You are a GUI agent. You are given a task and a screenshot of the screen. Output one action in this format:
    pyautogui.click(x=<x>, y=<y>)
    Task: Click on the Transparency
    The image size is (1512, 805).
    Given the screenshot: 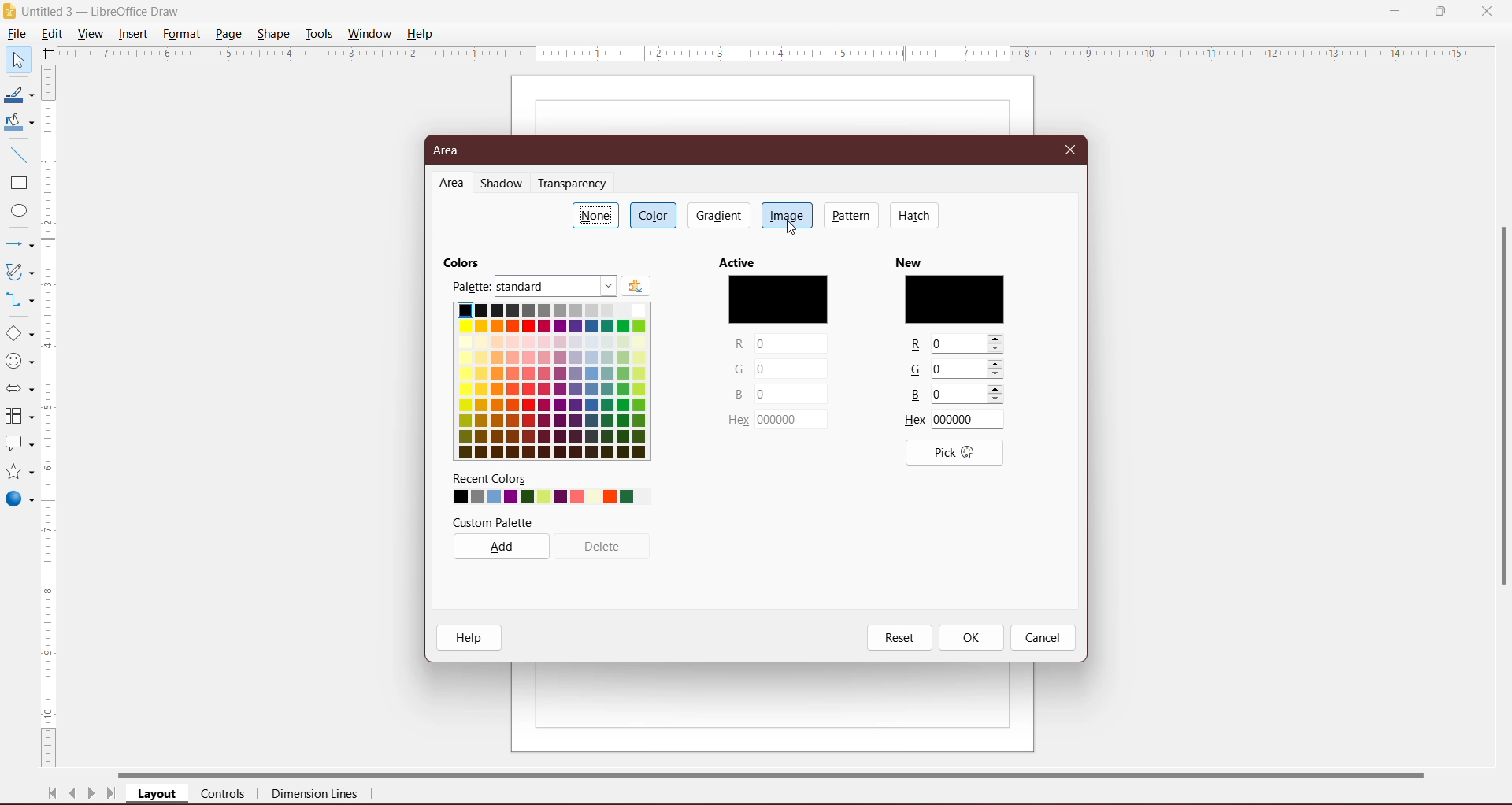 What is the action you would take?
    pyautogui.click(x=576, y=184)
    